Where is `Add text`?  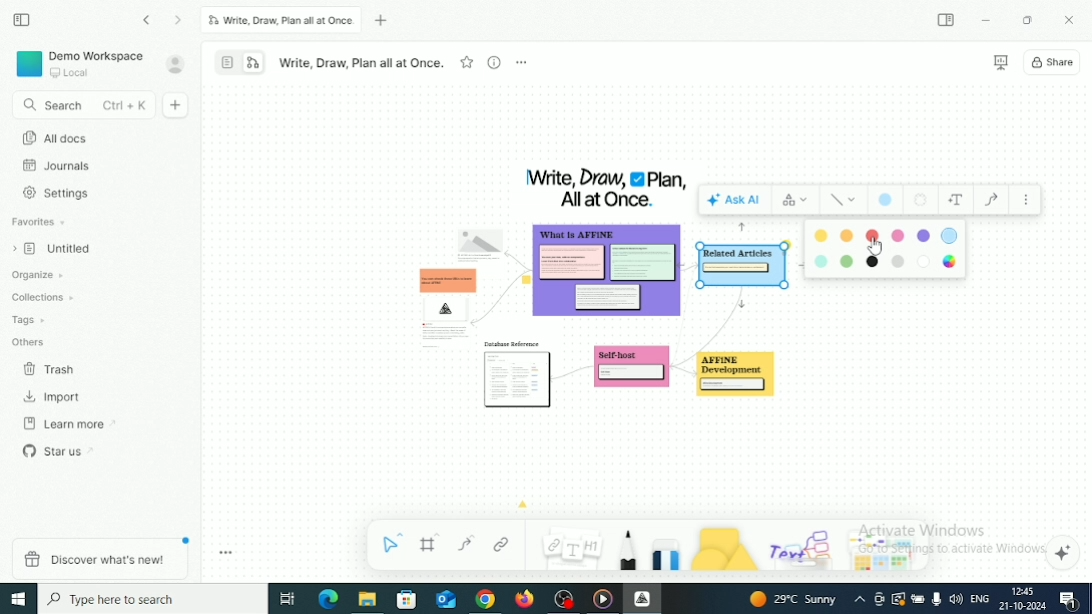
Add text is located at coordinates (956, 200).